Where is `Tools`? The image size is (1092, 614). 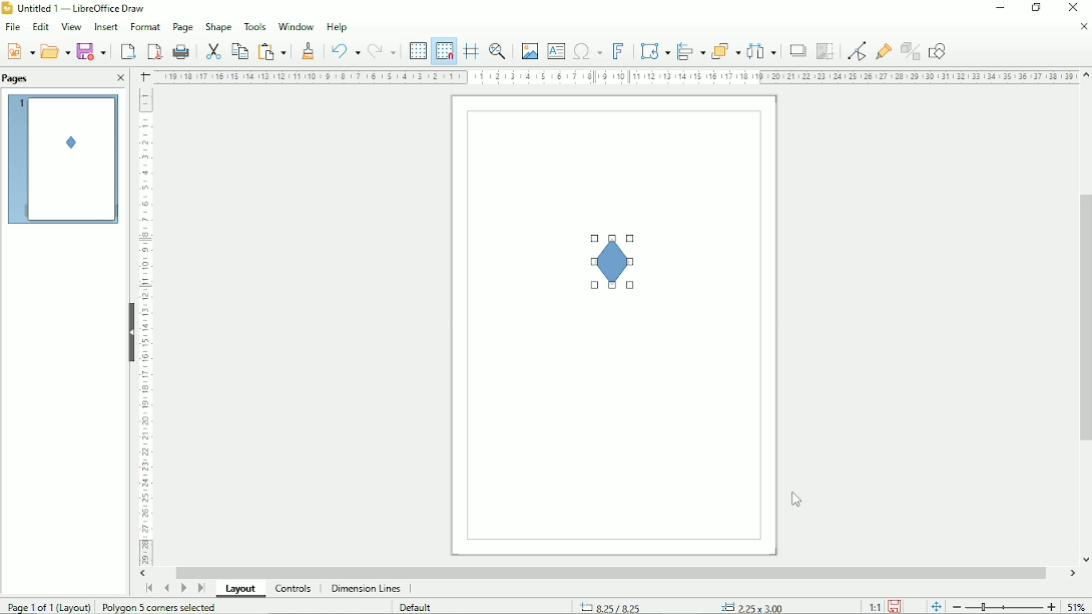
Tools is located at coordinates (254, 26).